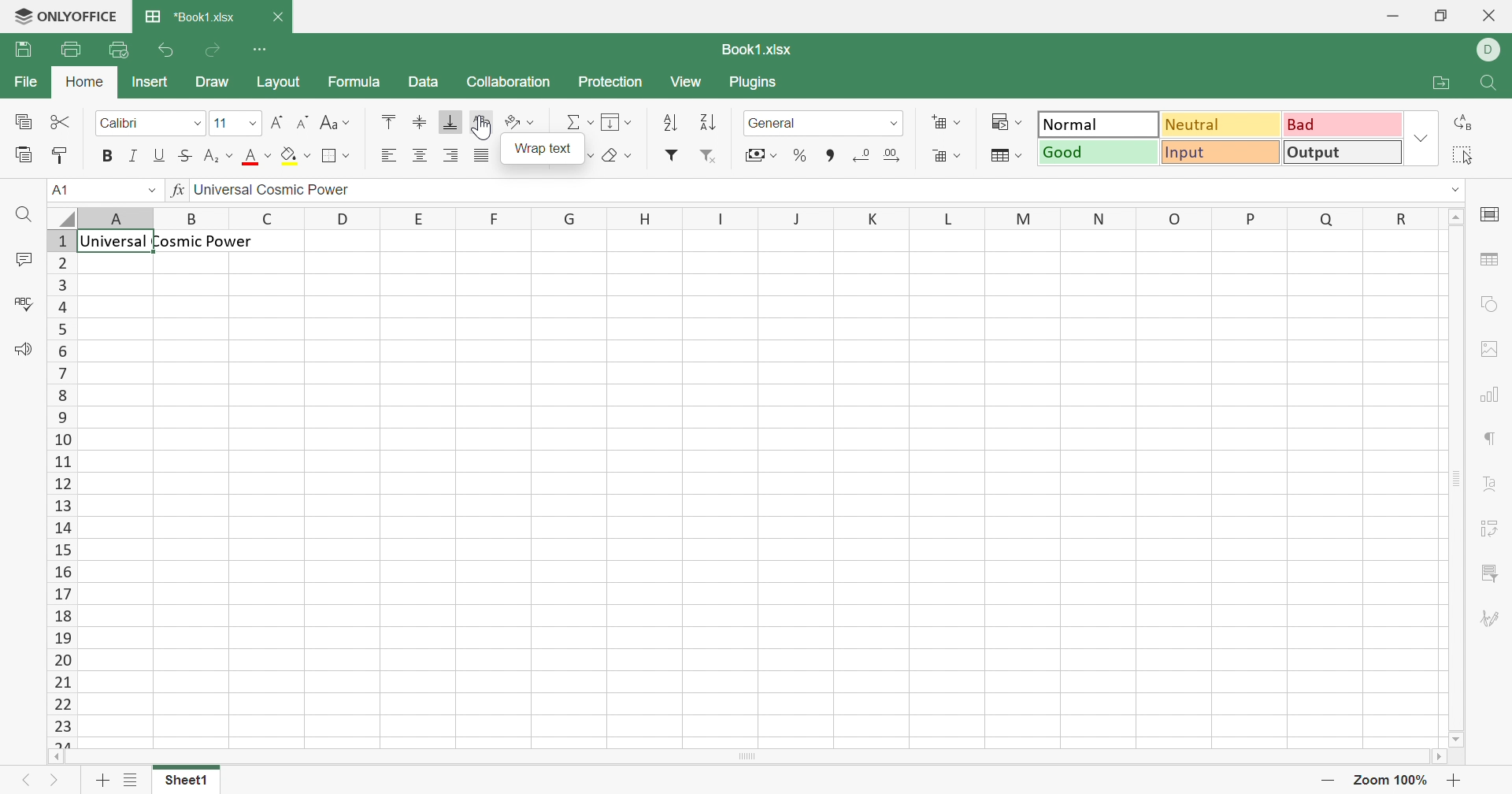 This screenshot has height=794, width=1512. I want to click on *Book1.xlsx, so click(190, 17).